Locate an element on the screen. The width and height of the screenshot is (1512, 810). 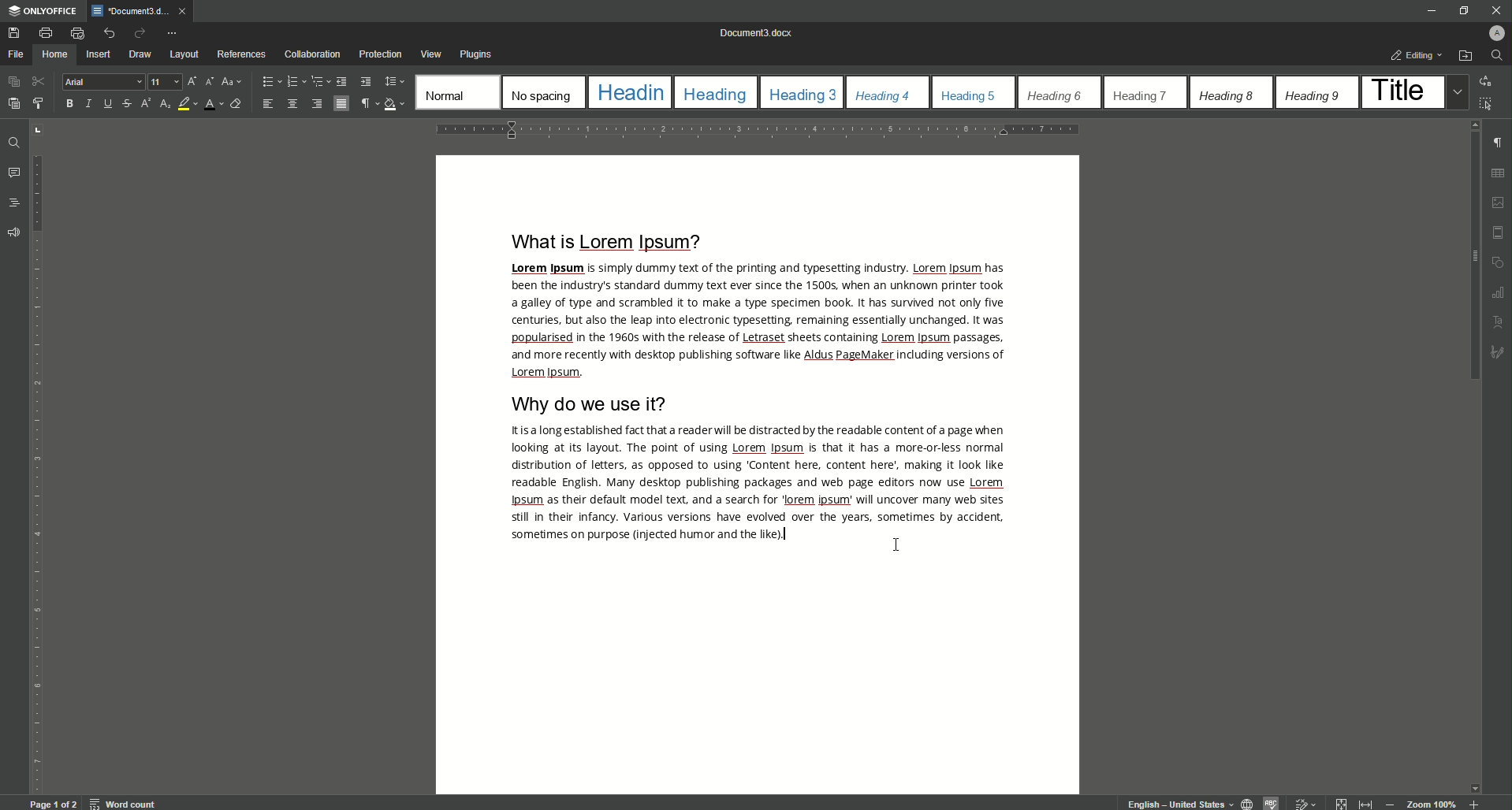
Text uppercase is located at coordinates (1501, 322).